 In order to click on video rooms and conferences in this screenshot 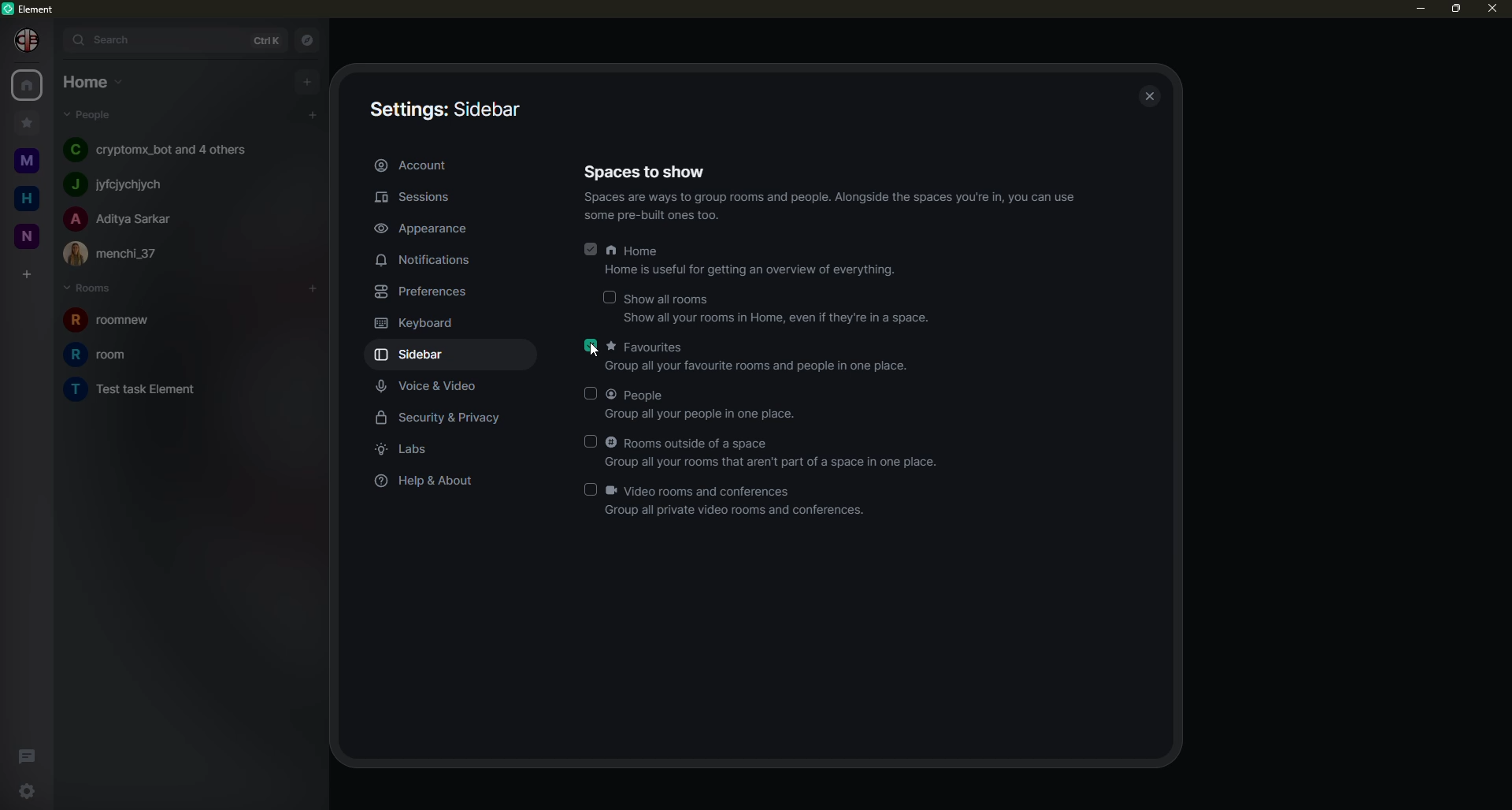, I will do `click(737, 502)`.